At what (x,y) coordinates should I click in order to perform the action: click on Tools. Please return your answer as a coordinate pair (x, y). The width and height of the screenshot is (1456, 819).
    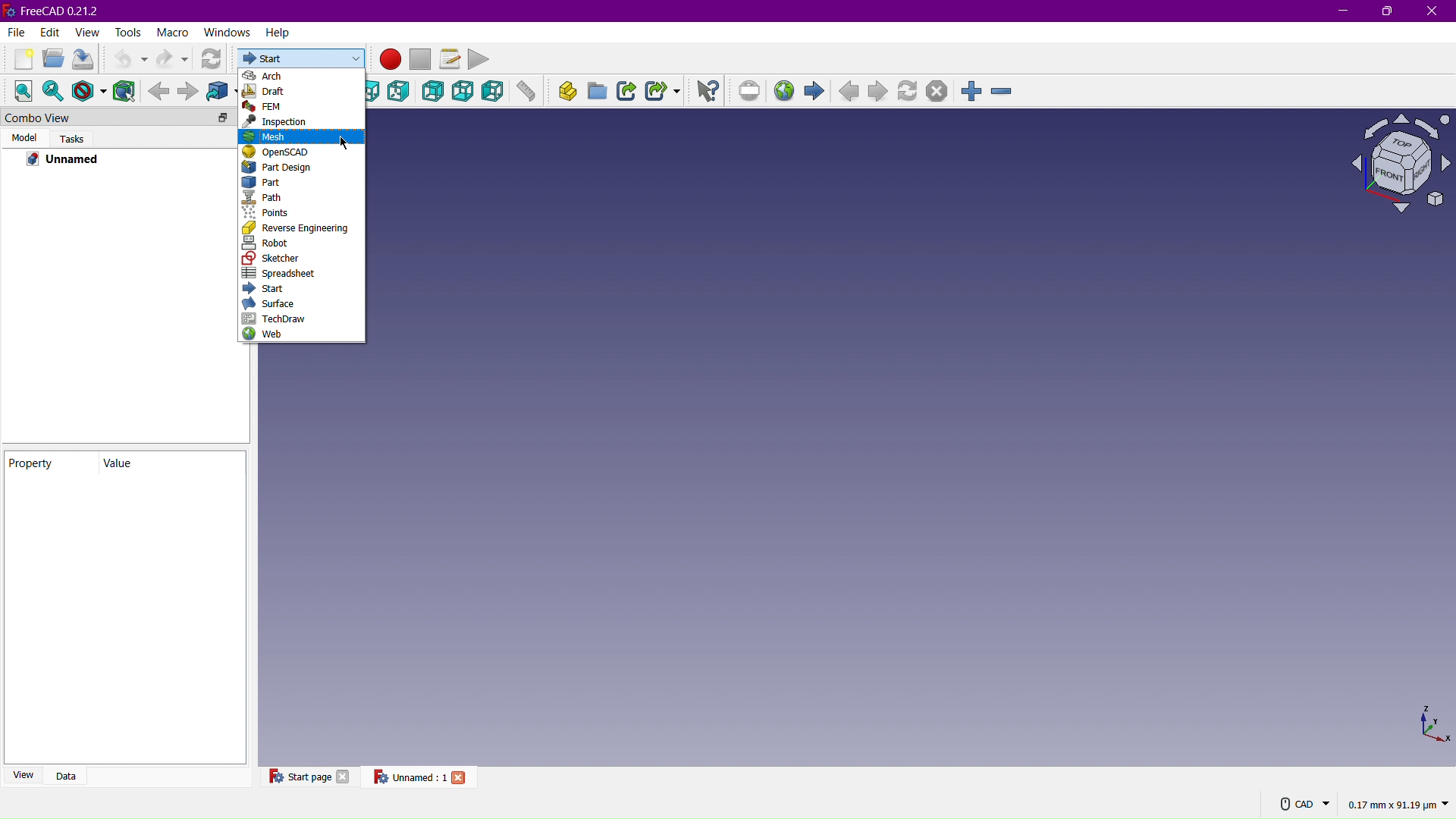
    Looking at the image, I should click on (130, 32).